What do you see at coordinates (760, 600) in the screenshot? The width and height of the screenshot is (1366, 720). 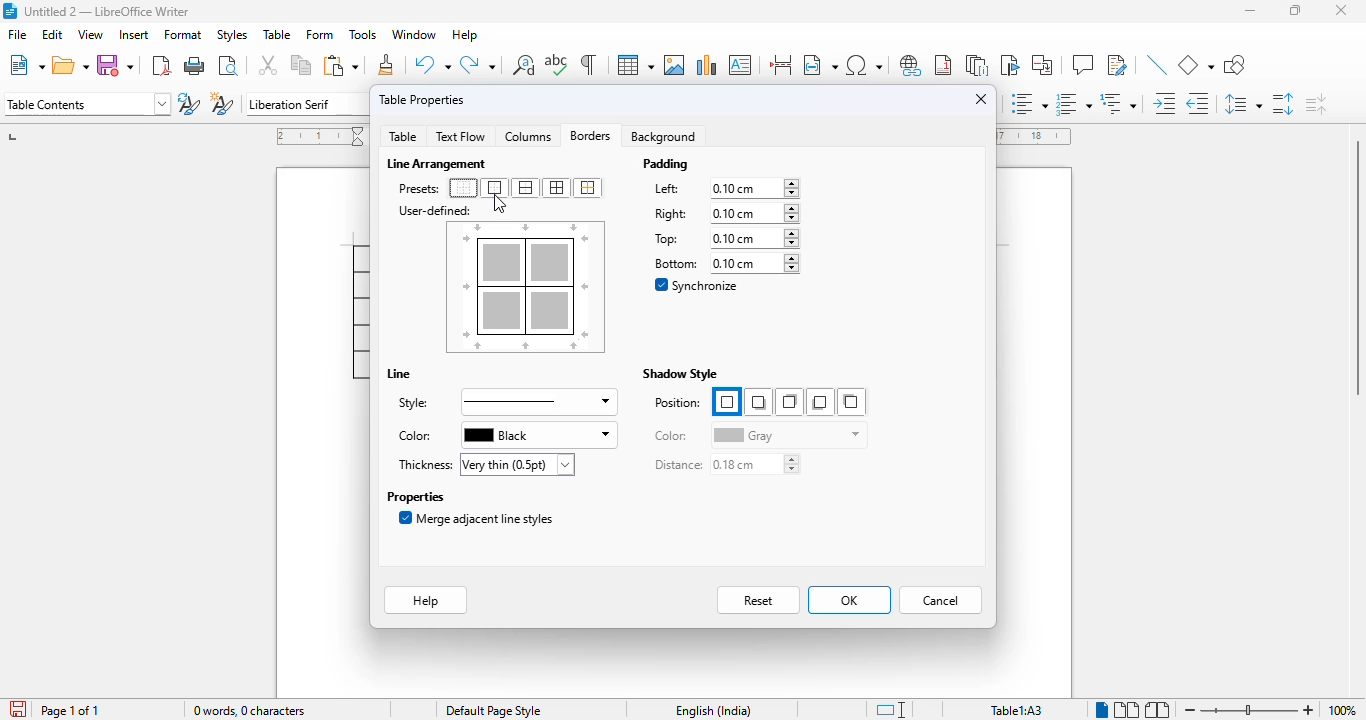 I see `reset` at bounding box center [760, 600].